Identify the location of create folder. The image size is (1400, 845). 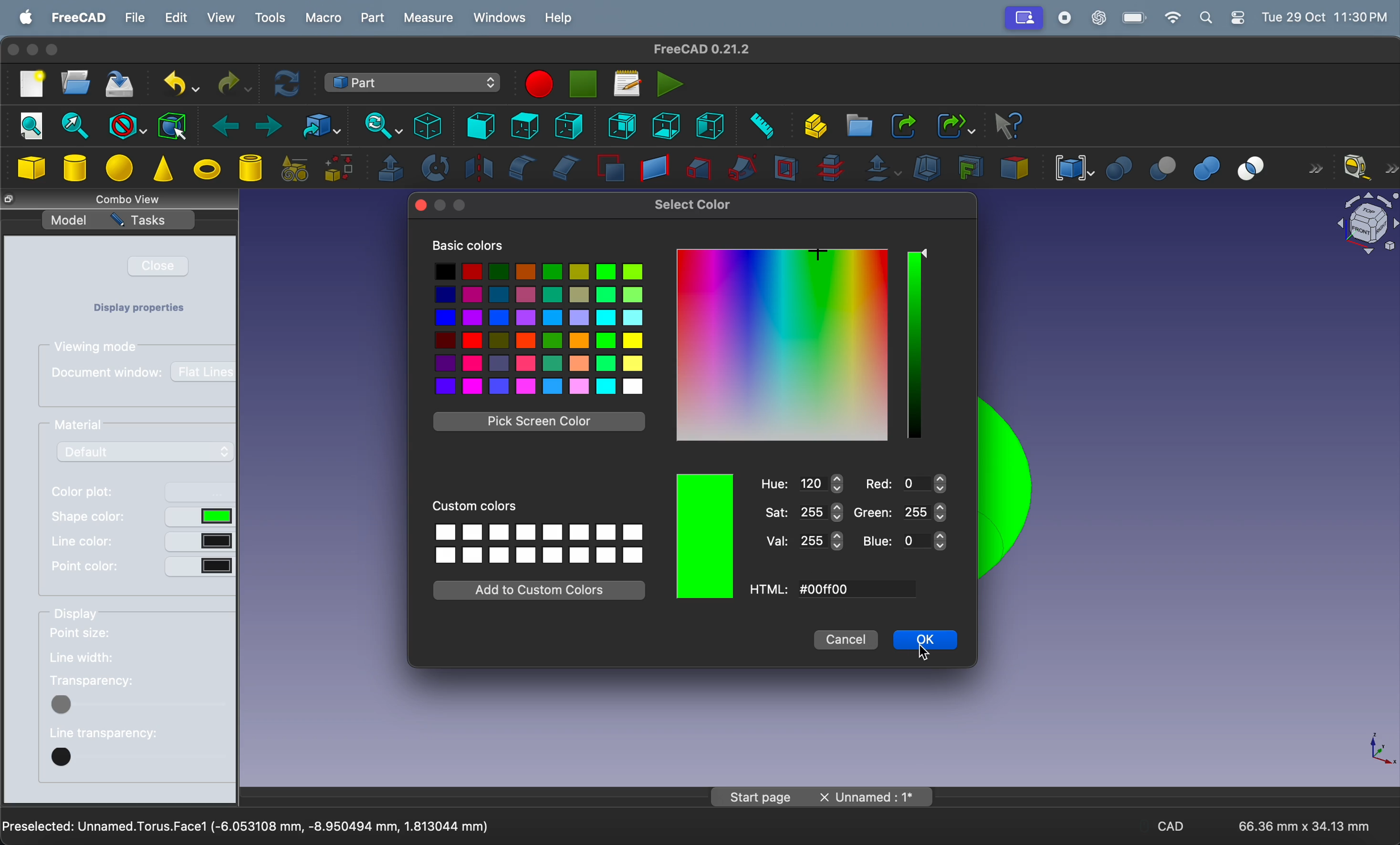
(859, 126).